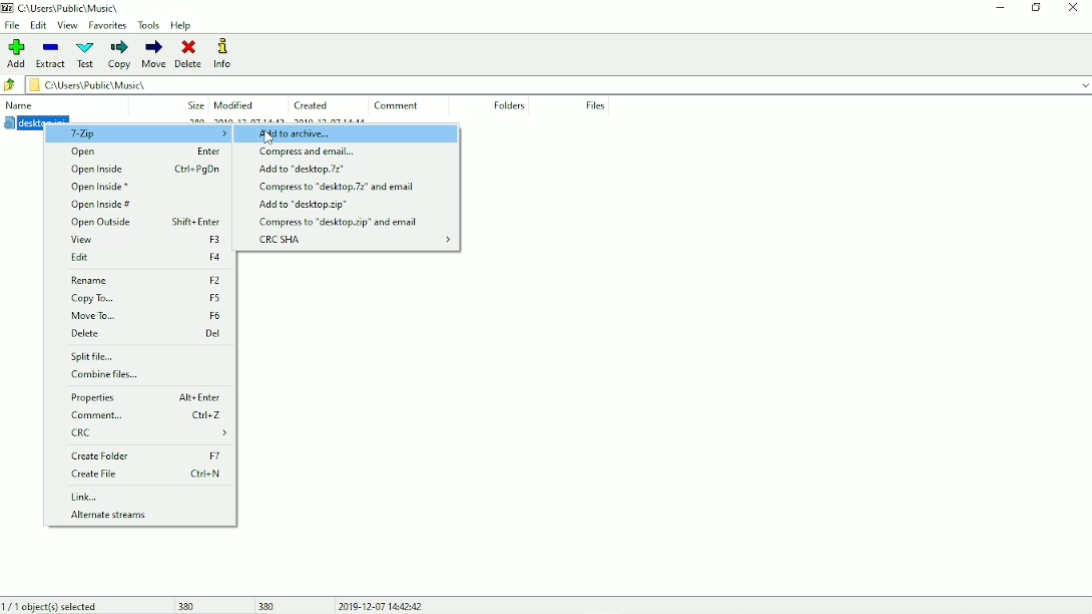 The image size is (1092, 614). I want to click on Copy, so click(120, 54).